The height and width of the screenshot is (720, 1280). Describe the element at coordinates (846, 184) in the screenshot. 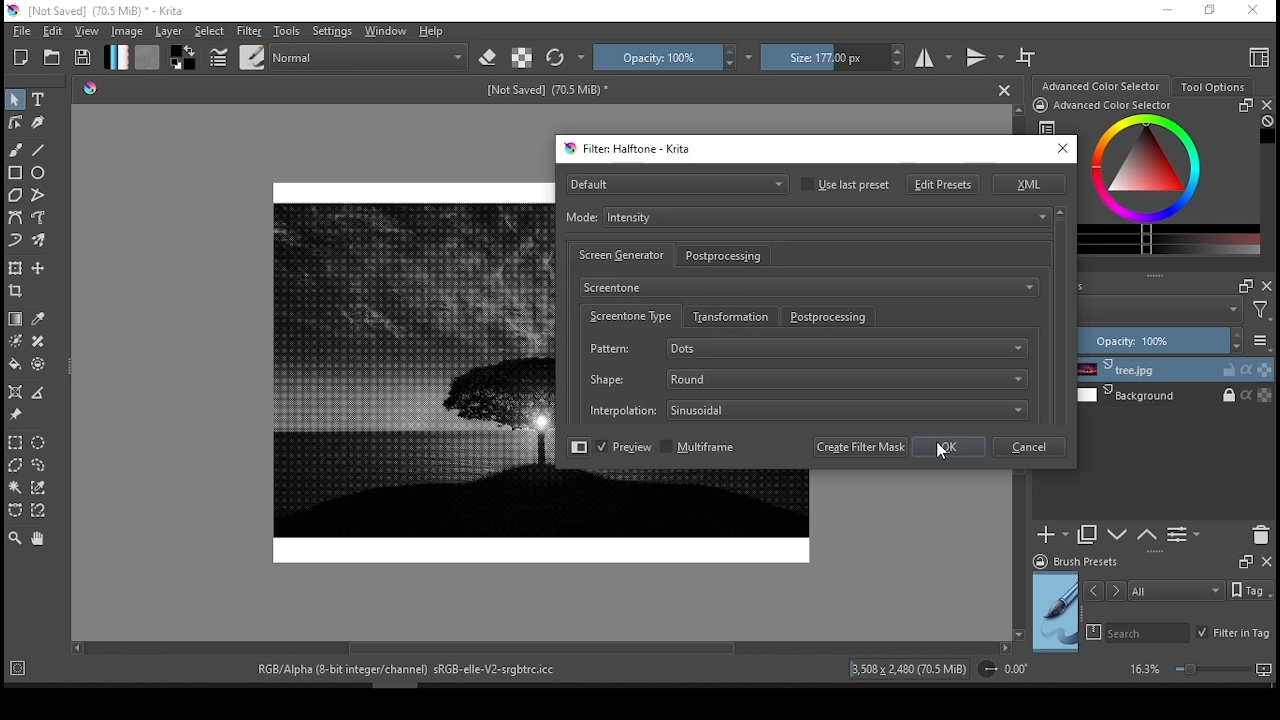

I see `checkbox: use last preset` at that location.